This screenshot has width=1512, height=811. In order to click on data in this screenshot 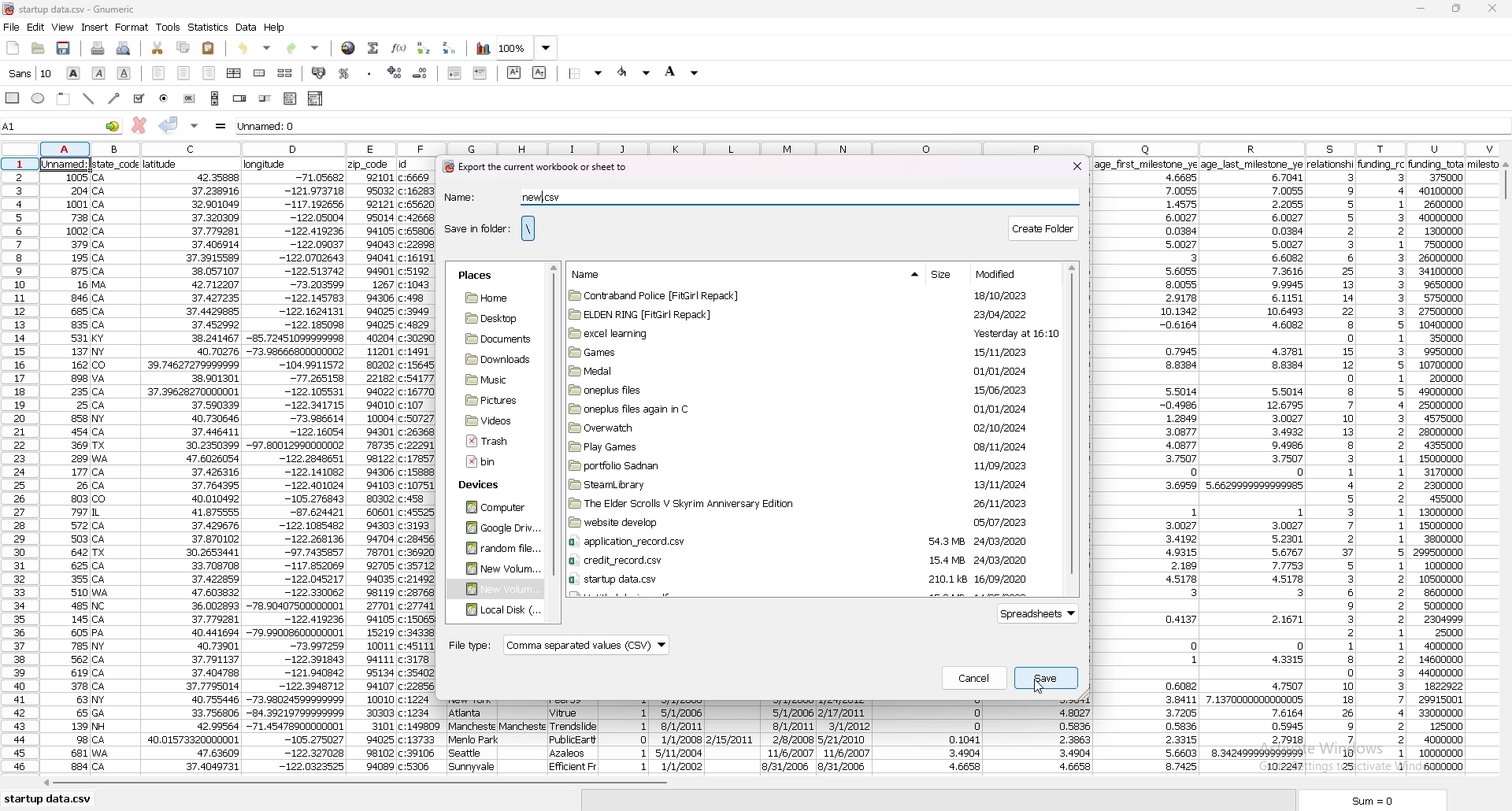, I will do `click(731, 731)`.